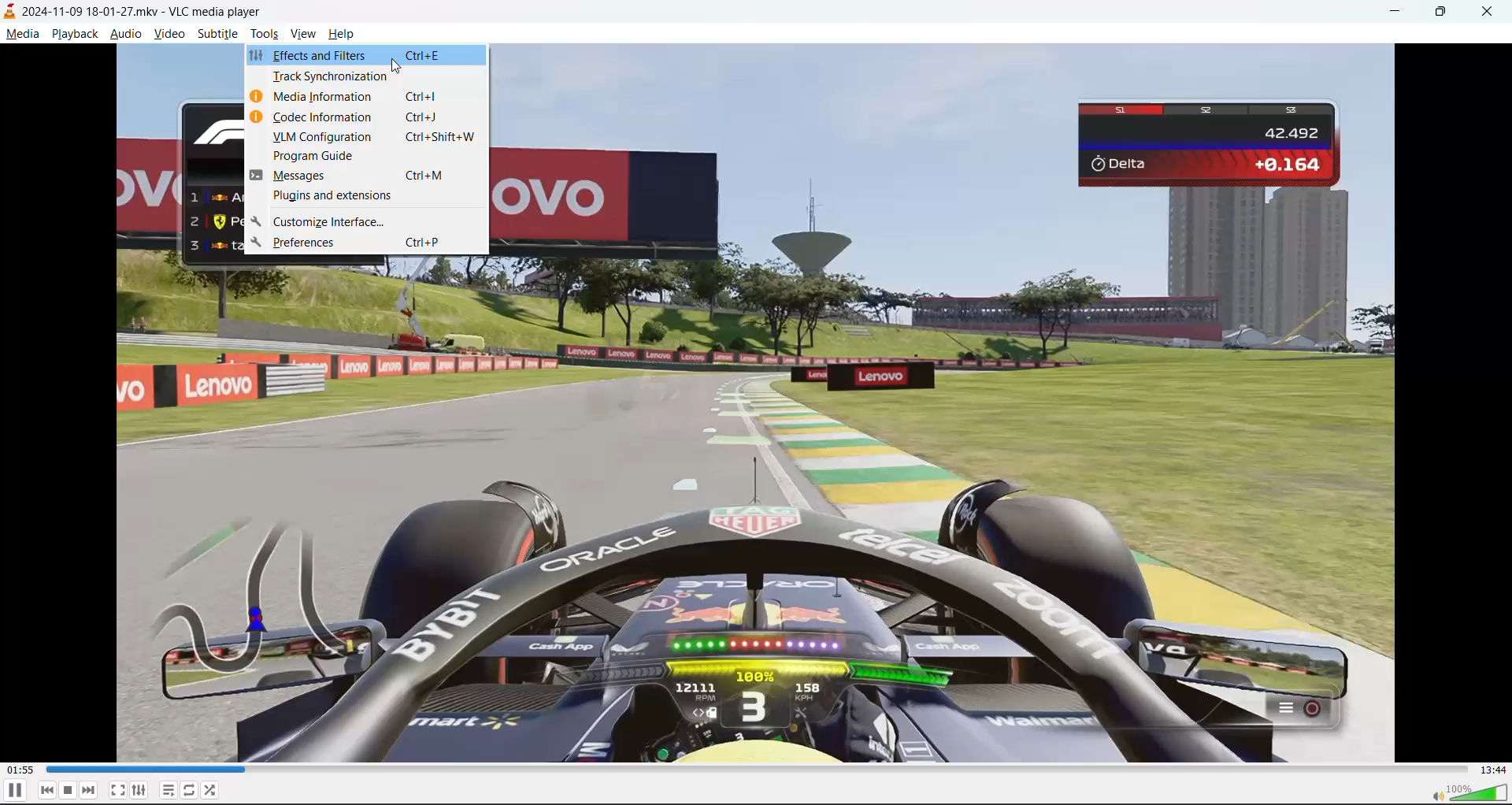 The width and height of the screenshot is (1512, 805). What do you see at coordinates (90, 790) in the screenshot?
I see `next` at bounding box center [90, 790].